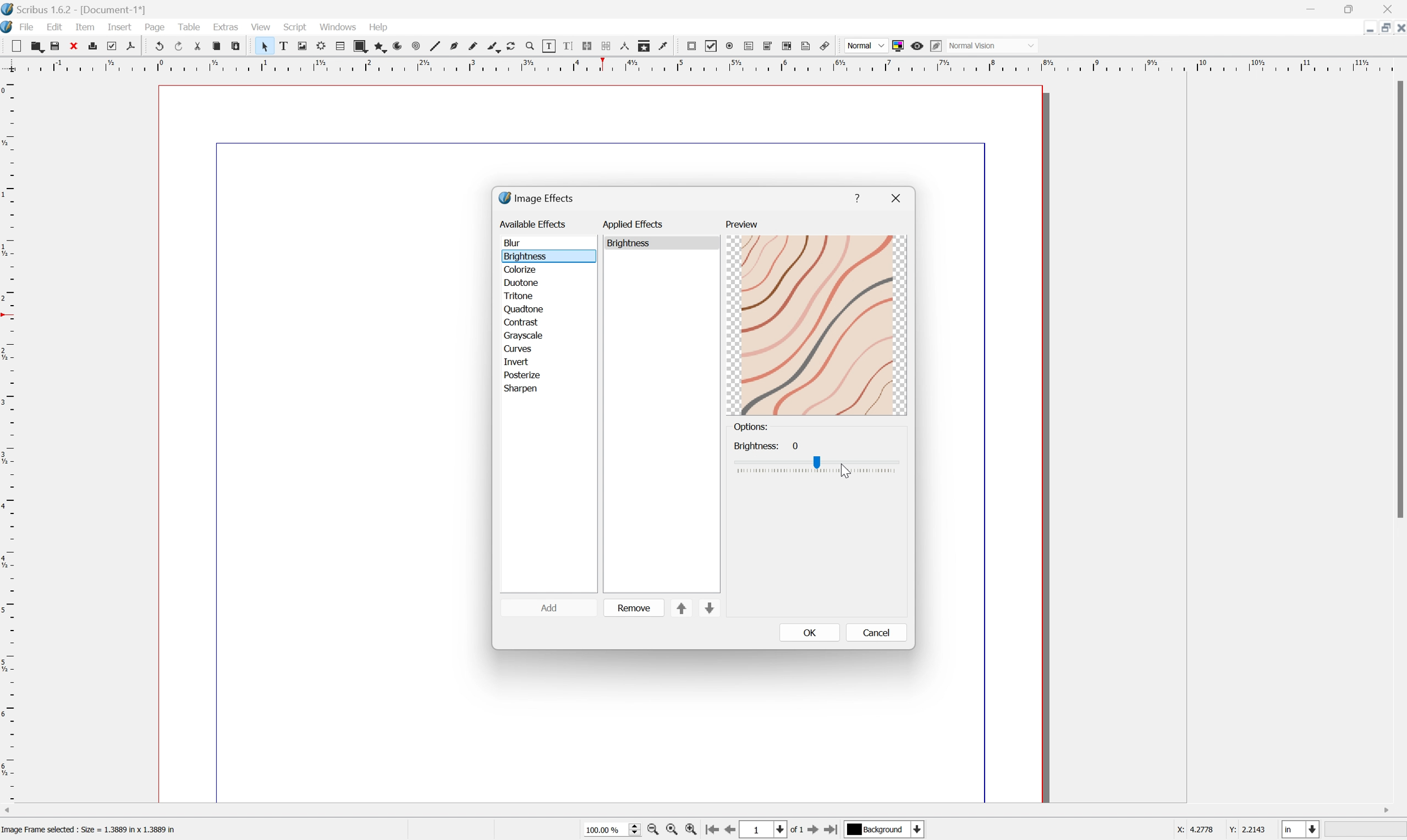 This screenshot has width=1407, height=840. Describe the element at coordinates (610, 830) in the screenshot. I see `Zoom 100%` at that location.